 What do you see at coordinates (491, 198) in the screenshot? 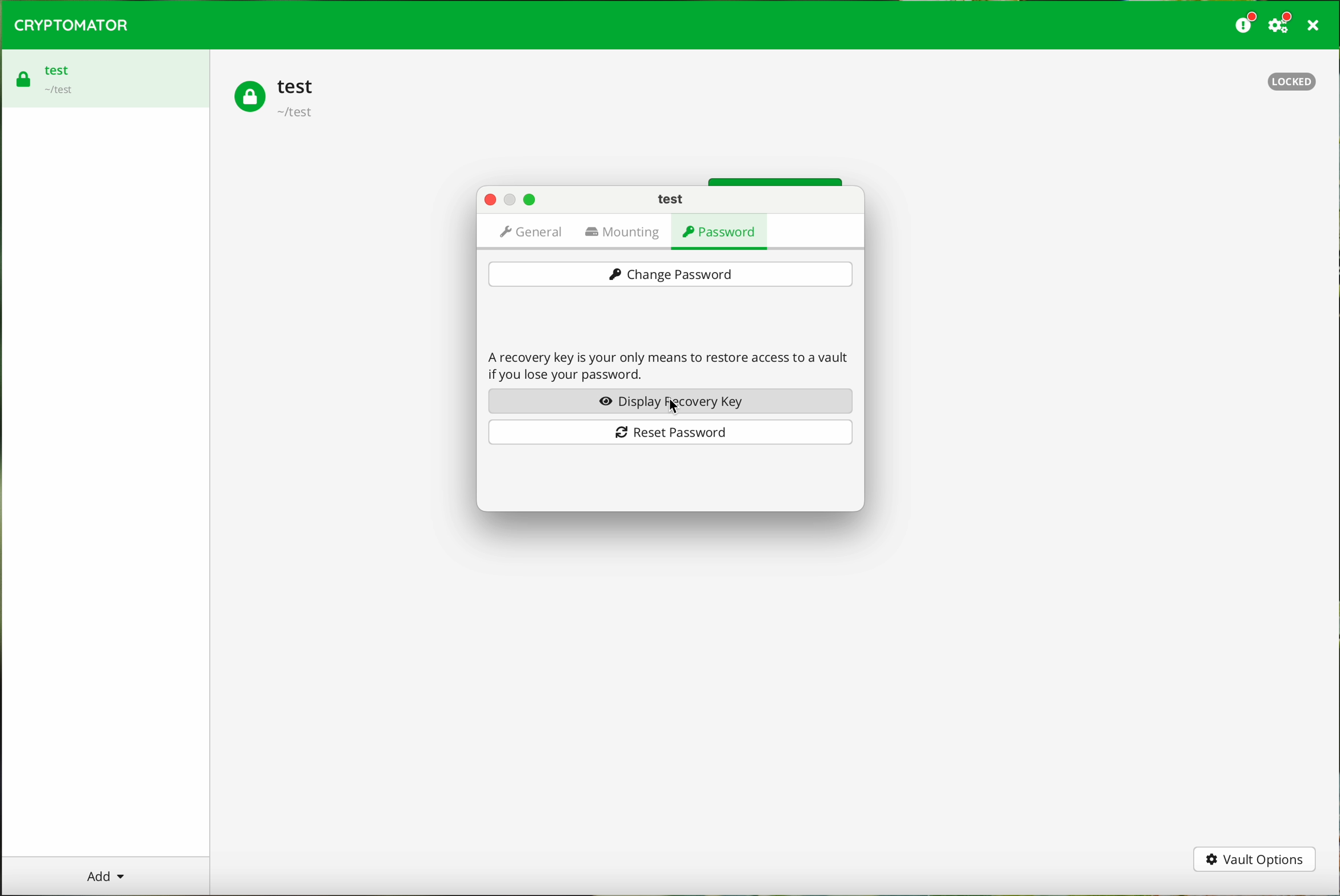
I see `close` at bounding box center [491, 198].